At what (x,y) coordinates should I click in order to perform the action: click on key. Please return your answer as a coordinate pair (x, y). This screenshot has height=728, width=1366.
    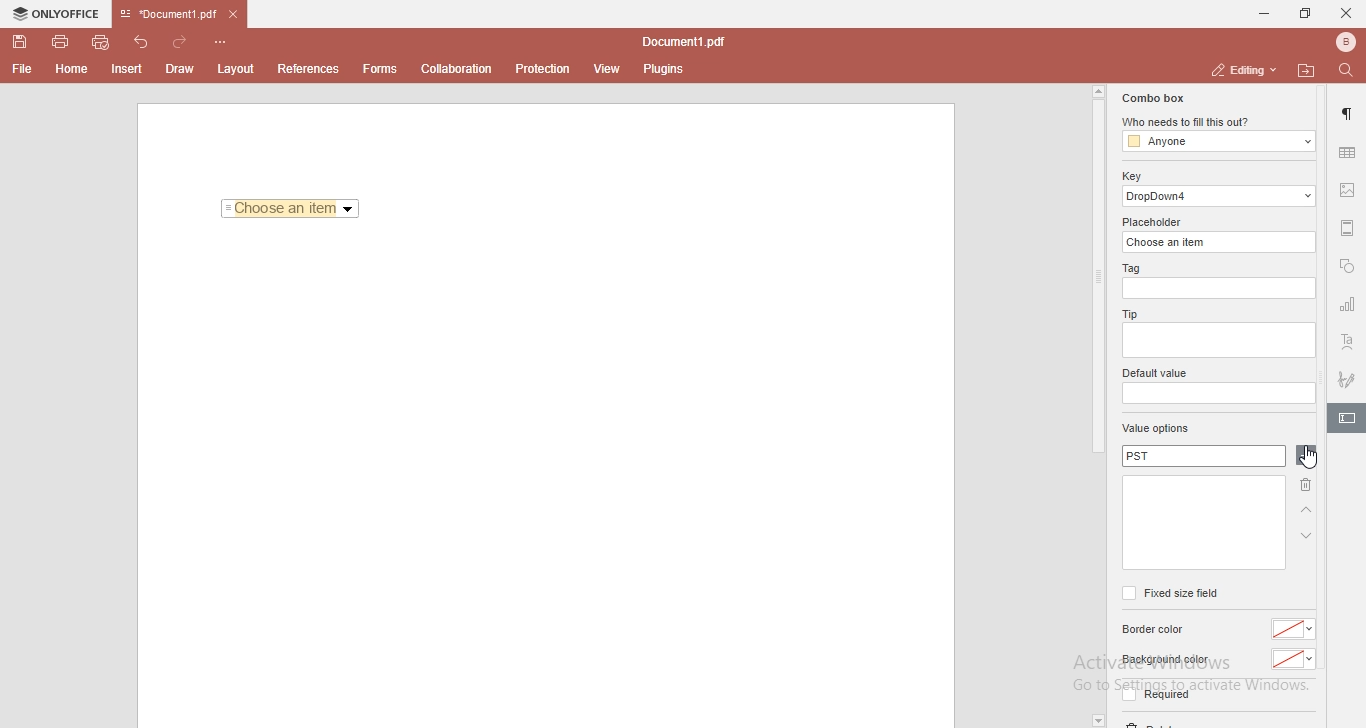
    Looking at the image, I should click on (1131, 176).